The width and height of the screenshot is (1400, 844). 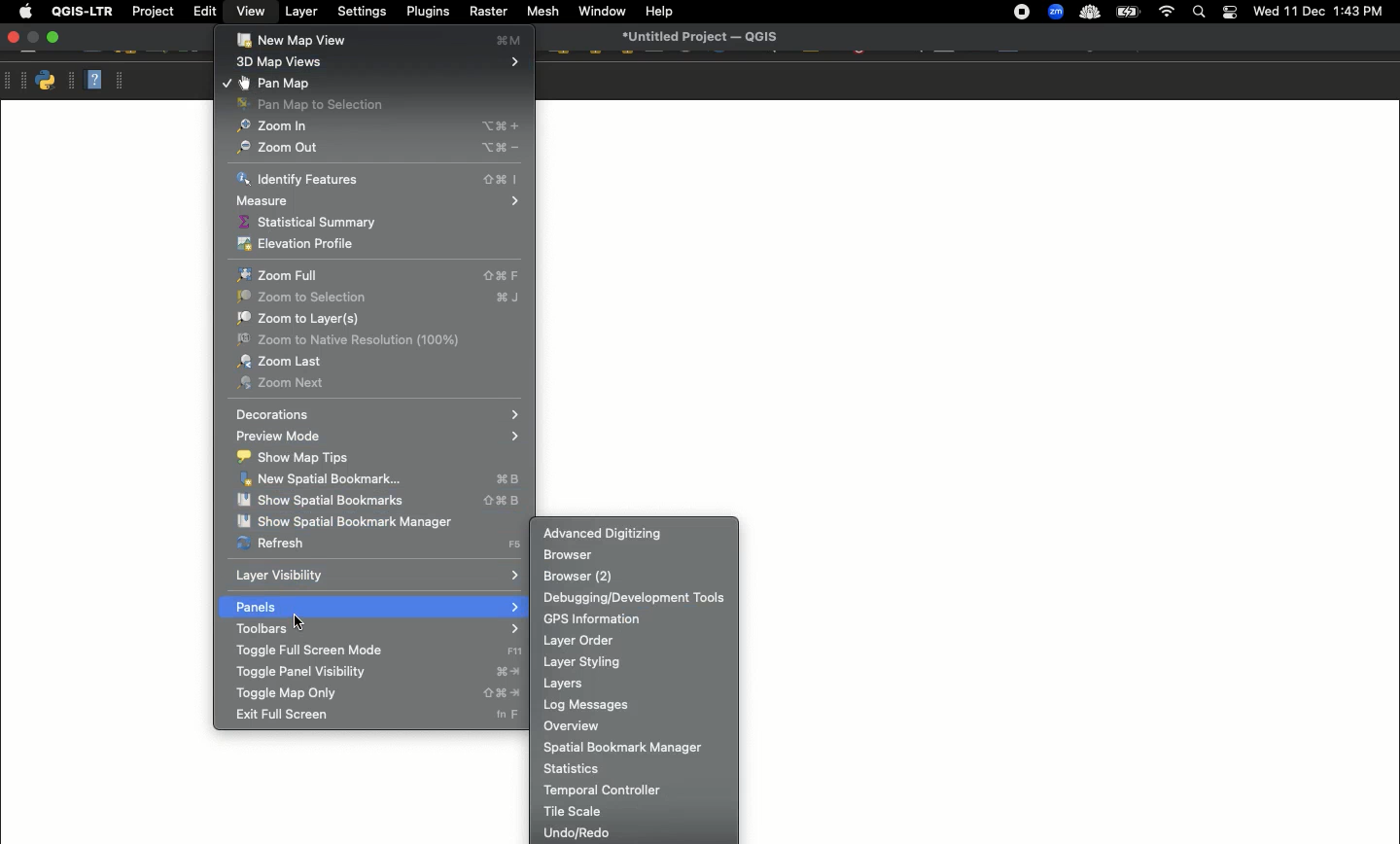 I want to click on Toolbars, so click(x=375, y=628).